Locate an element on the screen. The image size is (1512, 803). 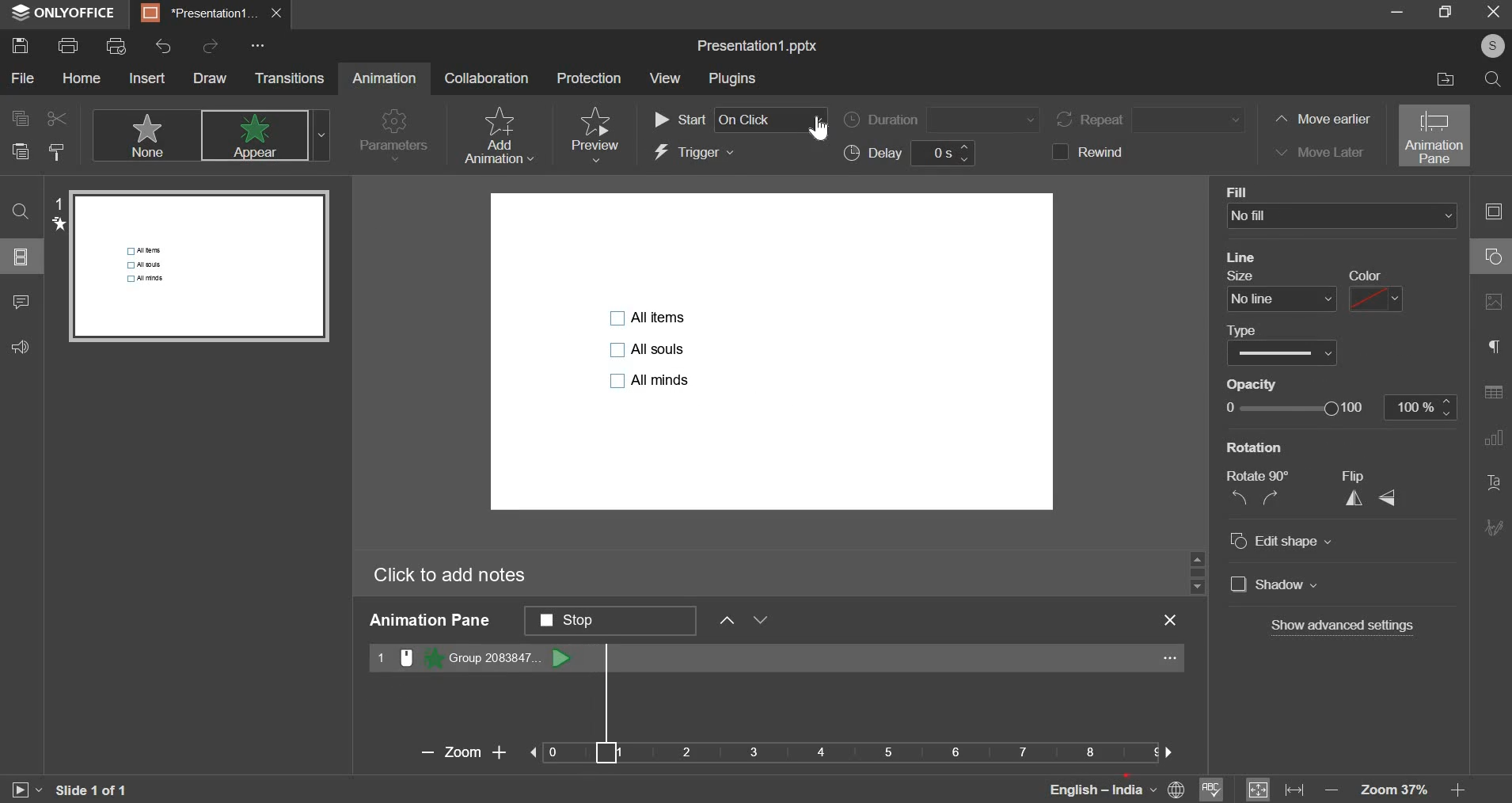
start order is located at coordinates (739, 120).